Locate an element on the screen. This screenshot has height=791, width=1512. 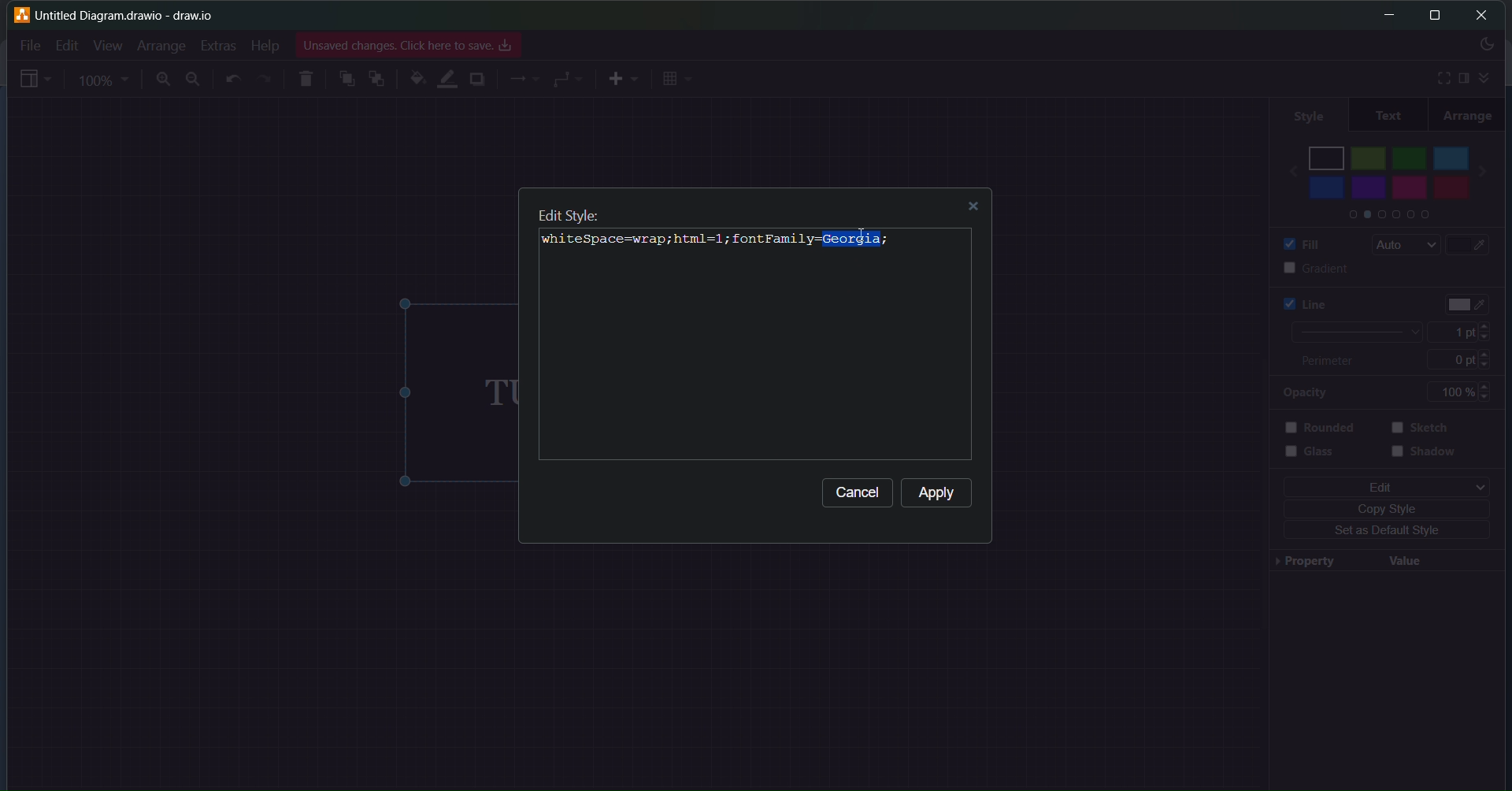
delete is located at coordinates (308, 76).